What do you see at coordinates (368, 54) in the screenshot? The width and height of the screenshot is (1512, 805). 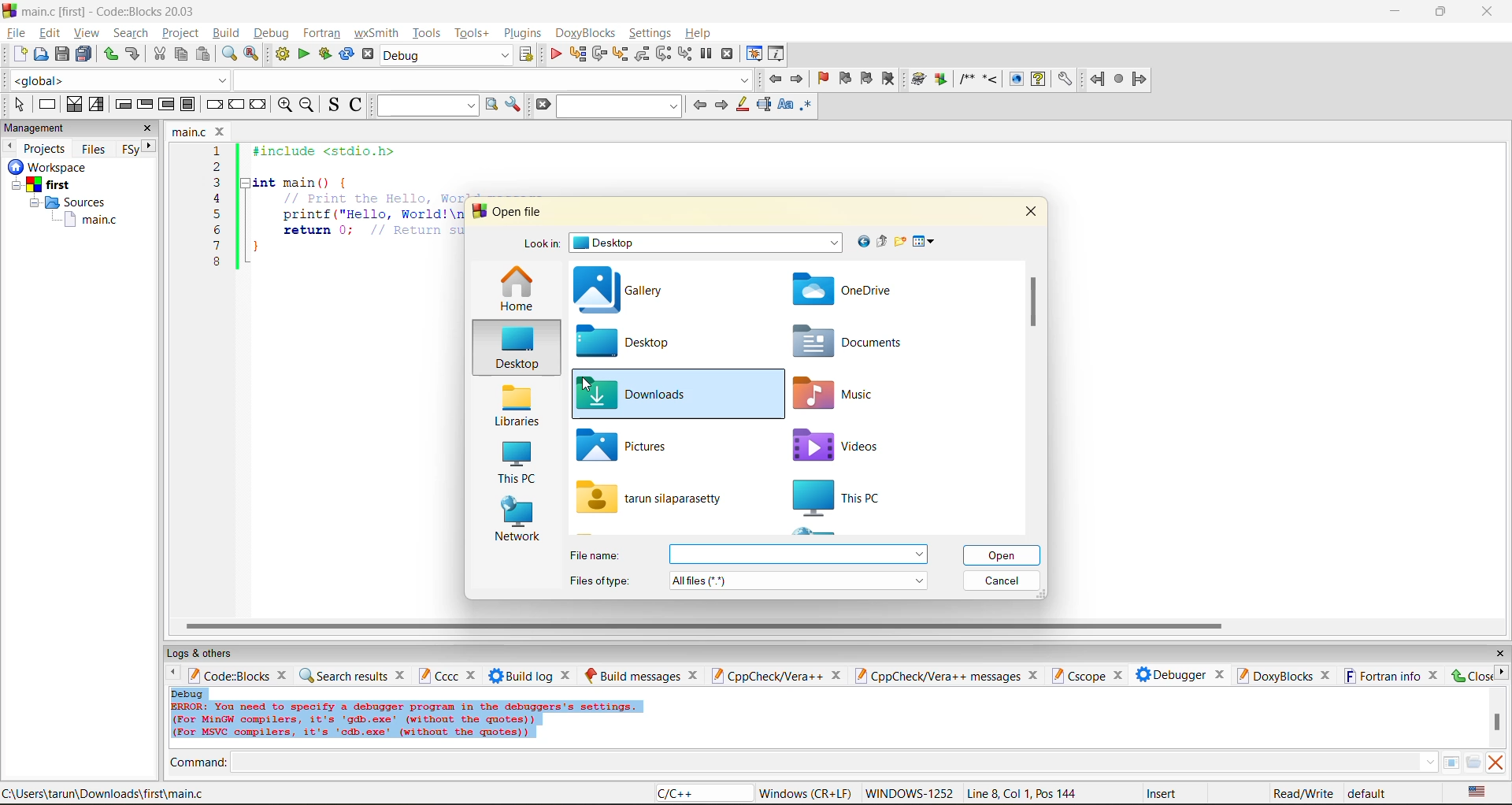 I see `abort` at bounding box center [368, 54].